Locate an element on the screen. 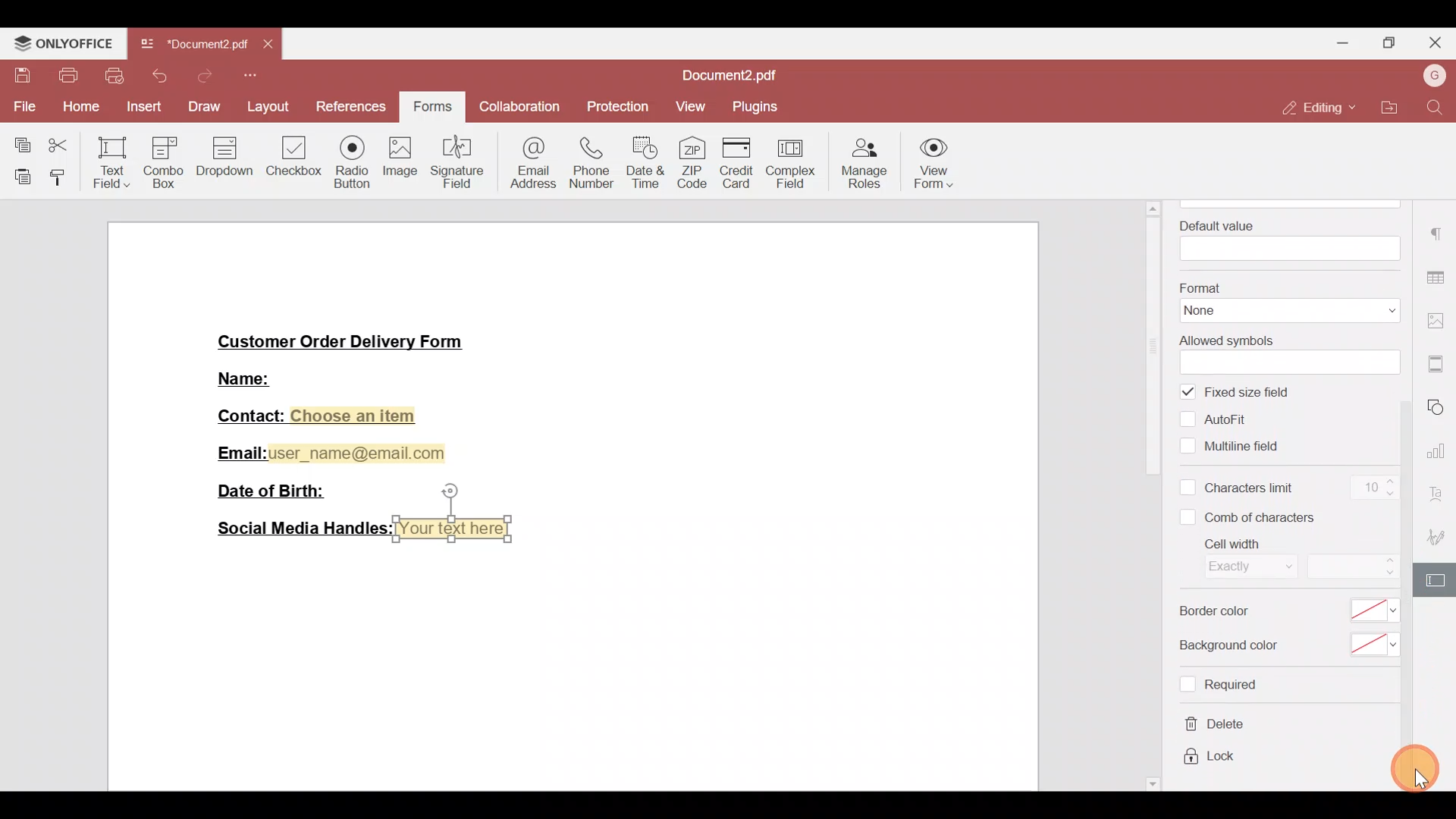  Checkbox is located at coordinates (292, 155).